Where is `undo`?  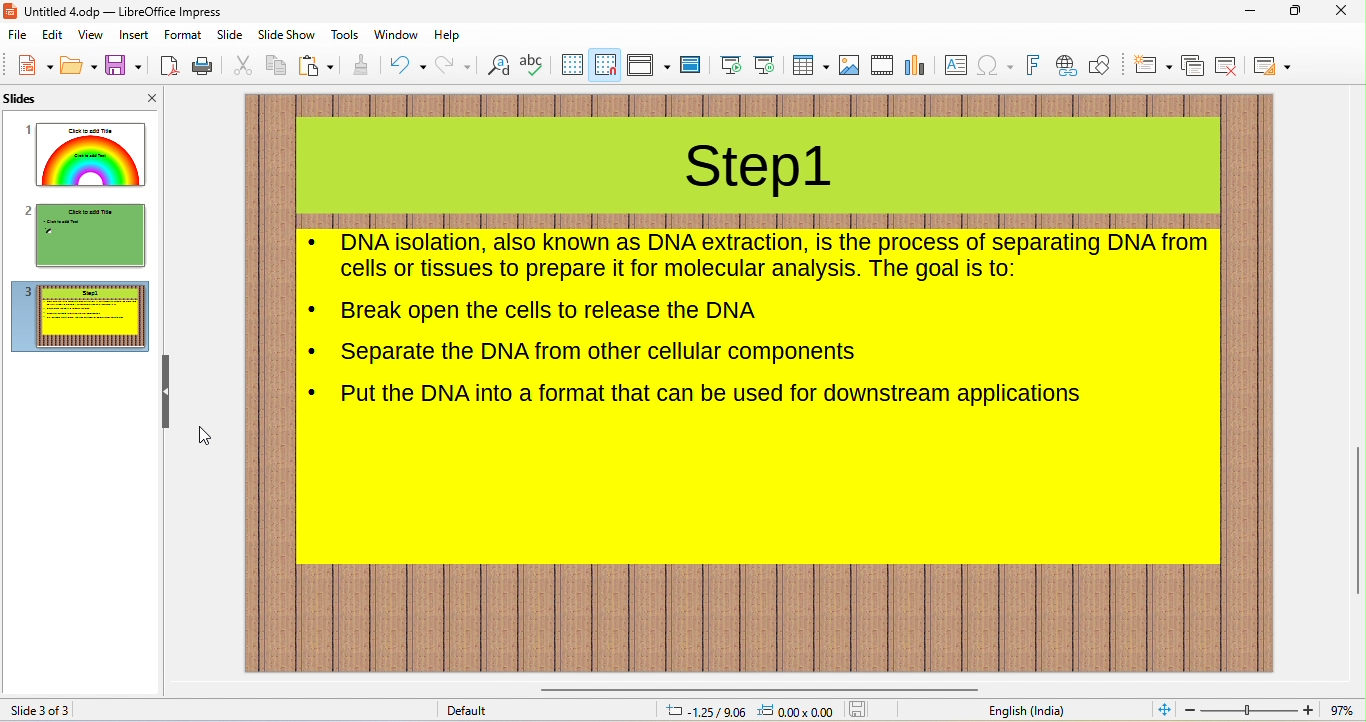 undo is located at coordinates (408, 64).